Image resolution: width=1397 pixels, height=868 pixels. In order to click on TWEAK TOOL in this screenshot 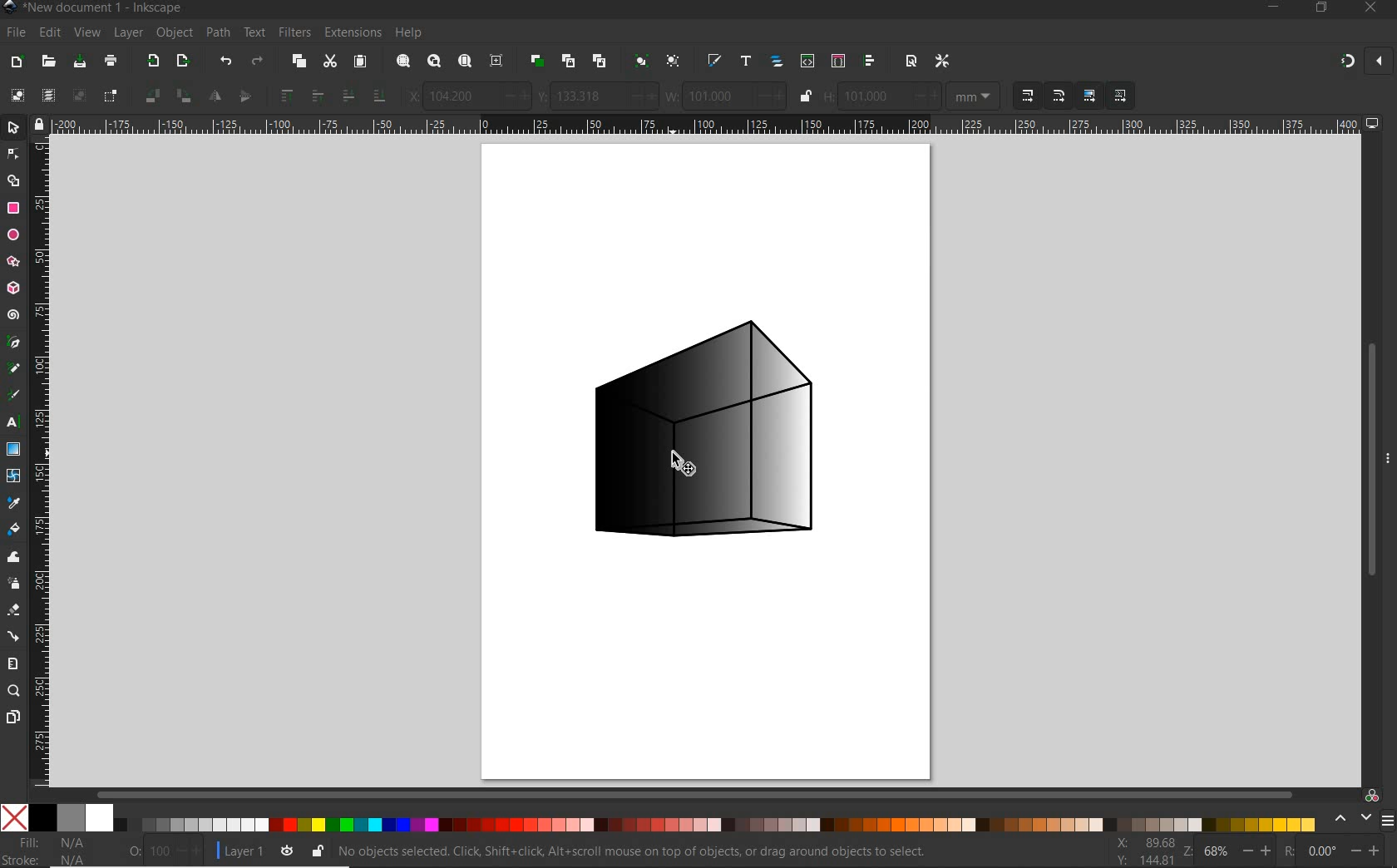, I will do `click(13, 557)`.